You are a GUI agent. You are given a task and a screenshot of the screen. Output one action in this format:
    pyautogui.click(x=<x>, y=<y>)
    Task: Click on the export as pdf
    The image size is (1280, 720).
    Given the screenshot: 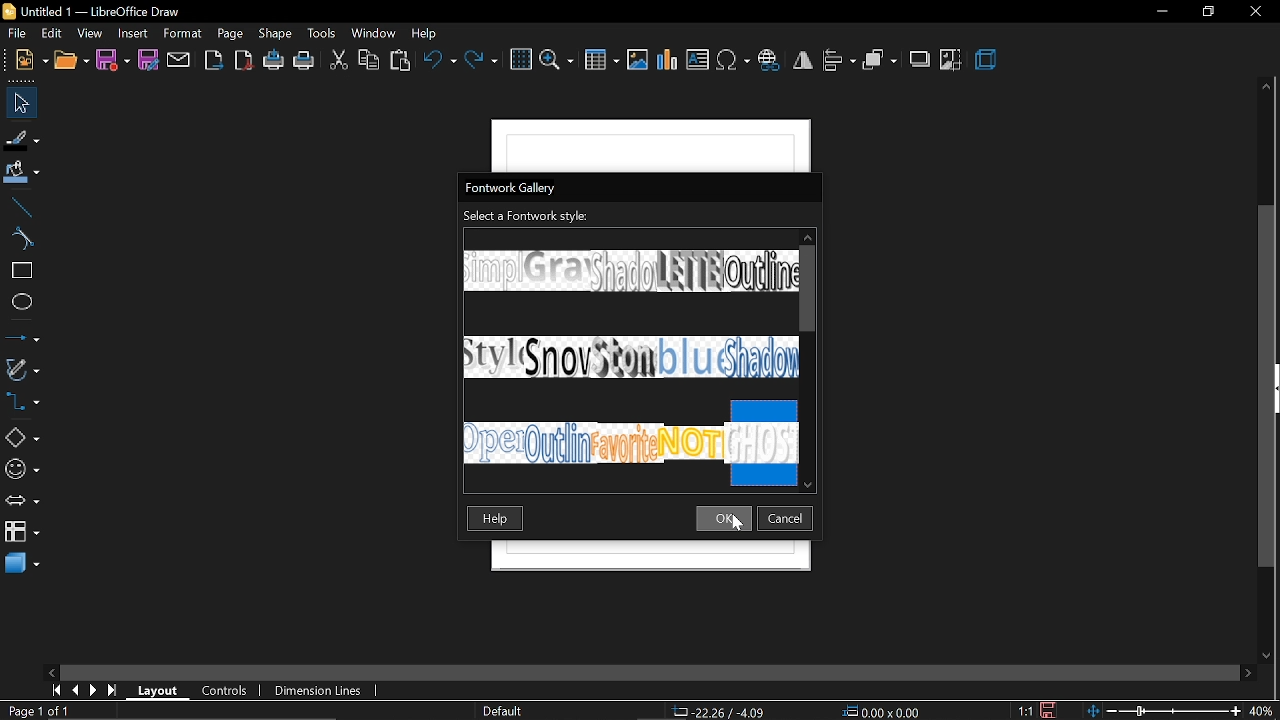 What is the action you would take?
    pyautogui.click(x=244, y=61)
    